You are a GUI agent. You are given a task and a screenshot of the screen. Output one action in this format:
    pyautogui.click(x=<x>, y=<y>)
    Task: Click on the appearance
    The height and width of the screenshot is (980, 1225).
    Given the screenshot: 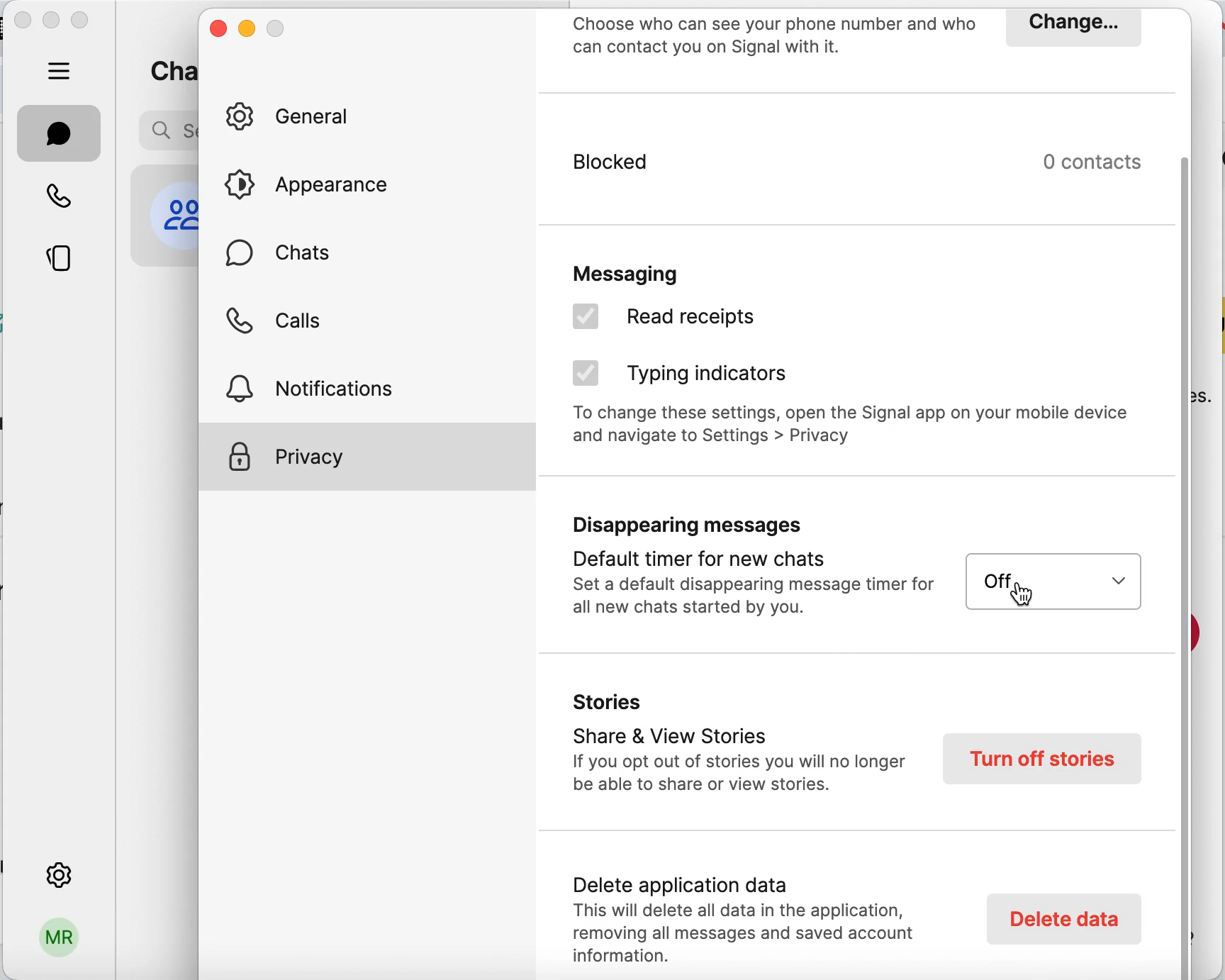 What is the action you would take?
    pyautogui.click(x=318, y=184)
    